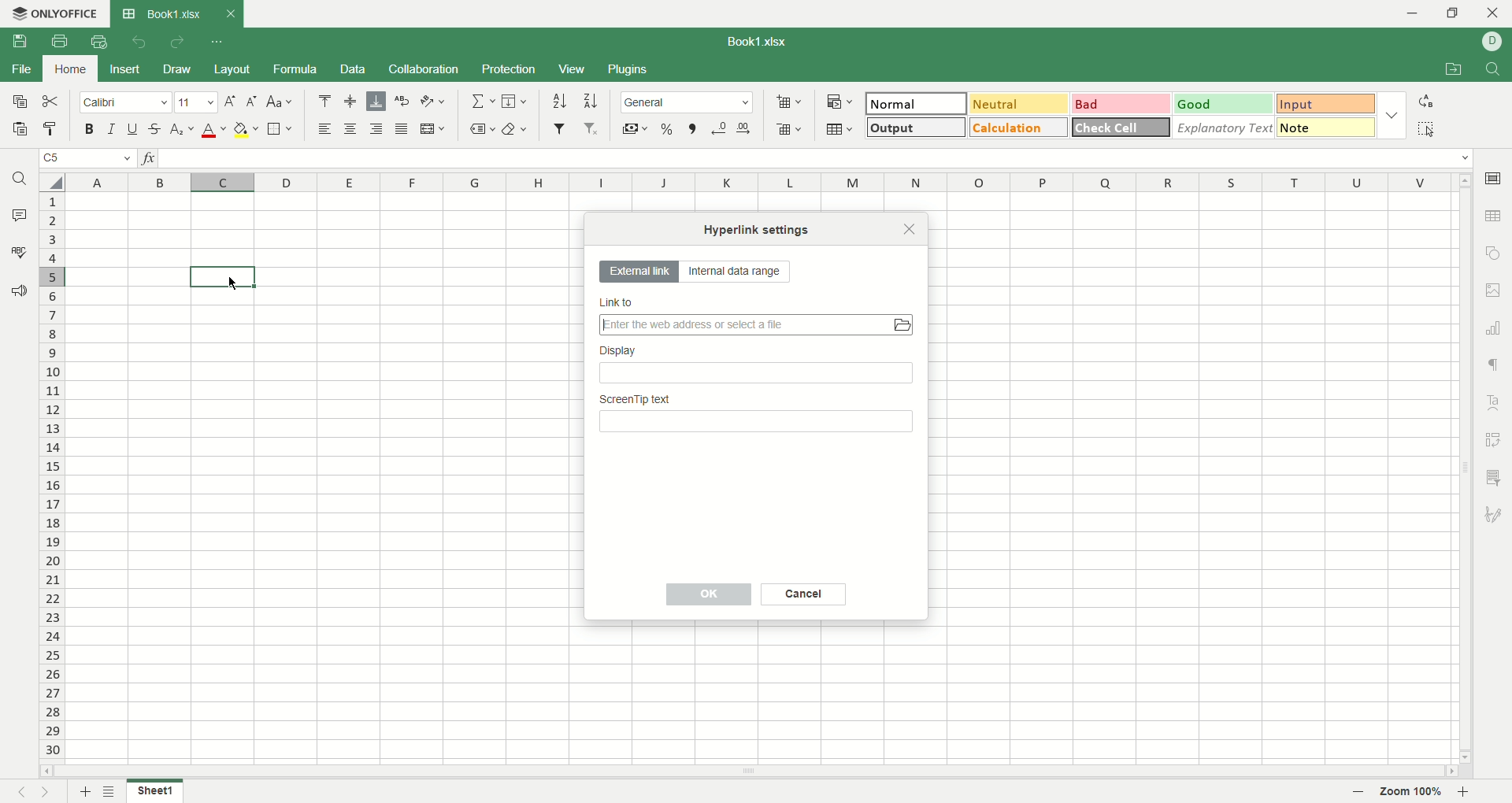  What do you see at coordinates (1426, 128) in the screenshot?
I see `select all` at bounding box center [1426, 128].